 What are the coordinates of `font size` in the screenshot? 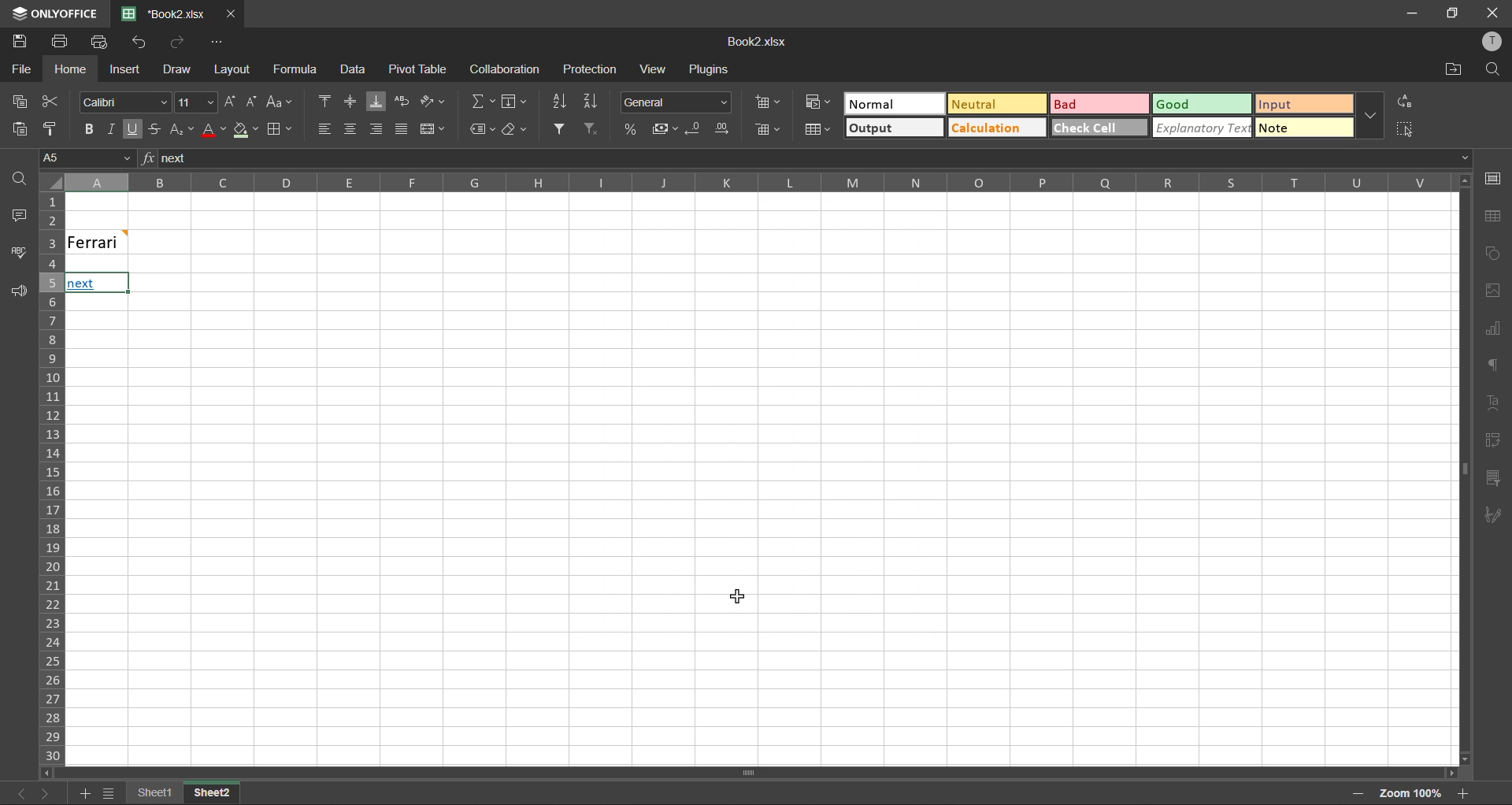 It's located at (198, 101).